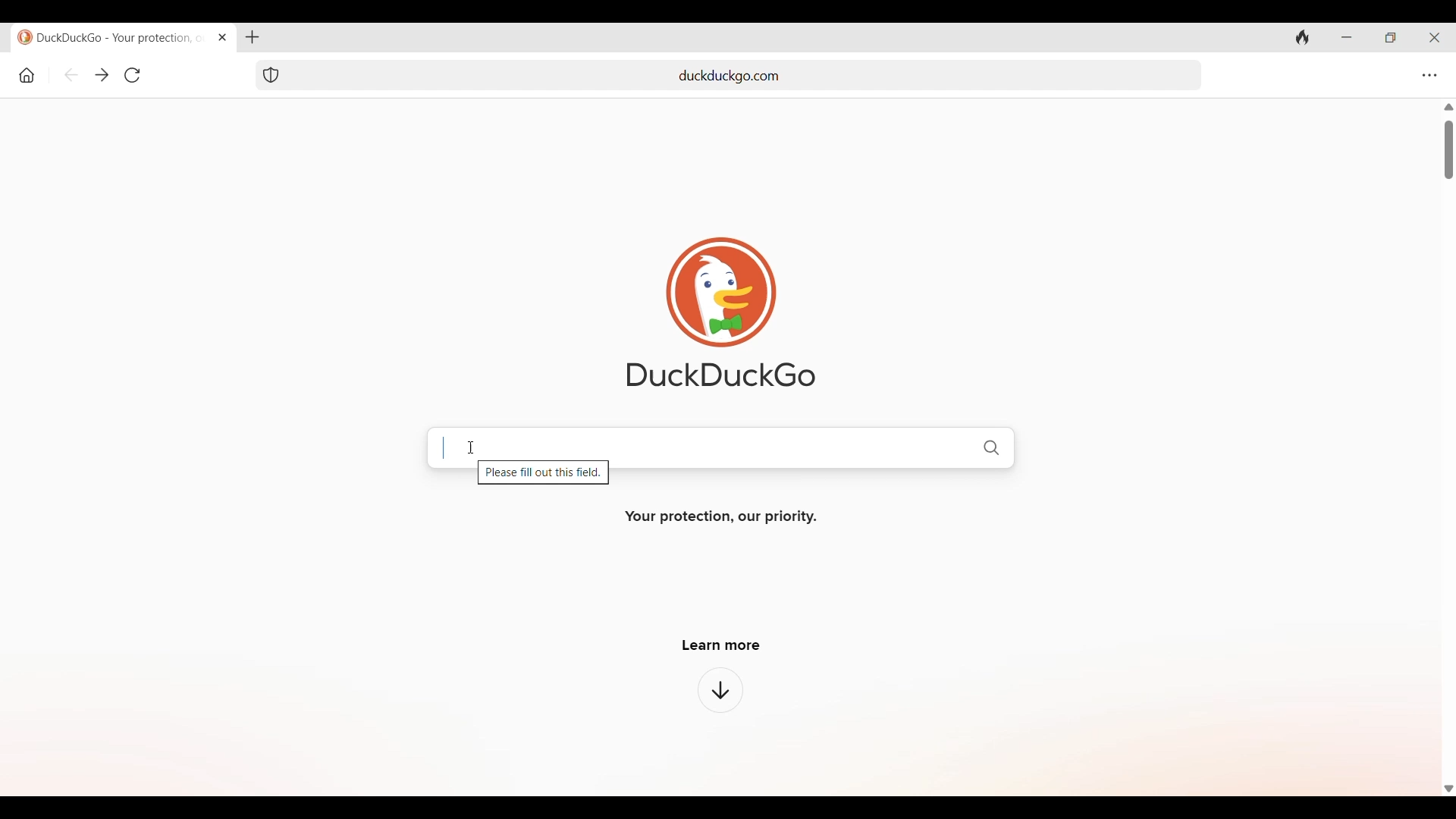  Describe the element at coordinates (469, 447) in the screenshot. I see `Cursor` at that location.